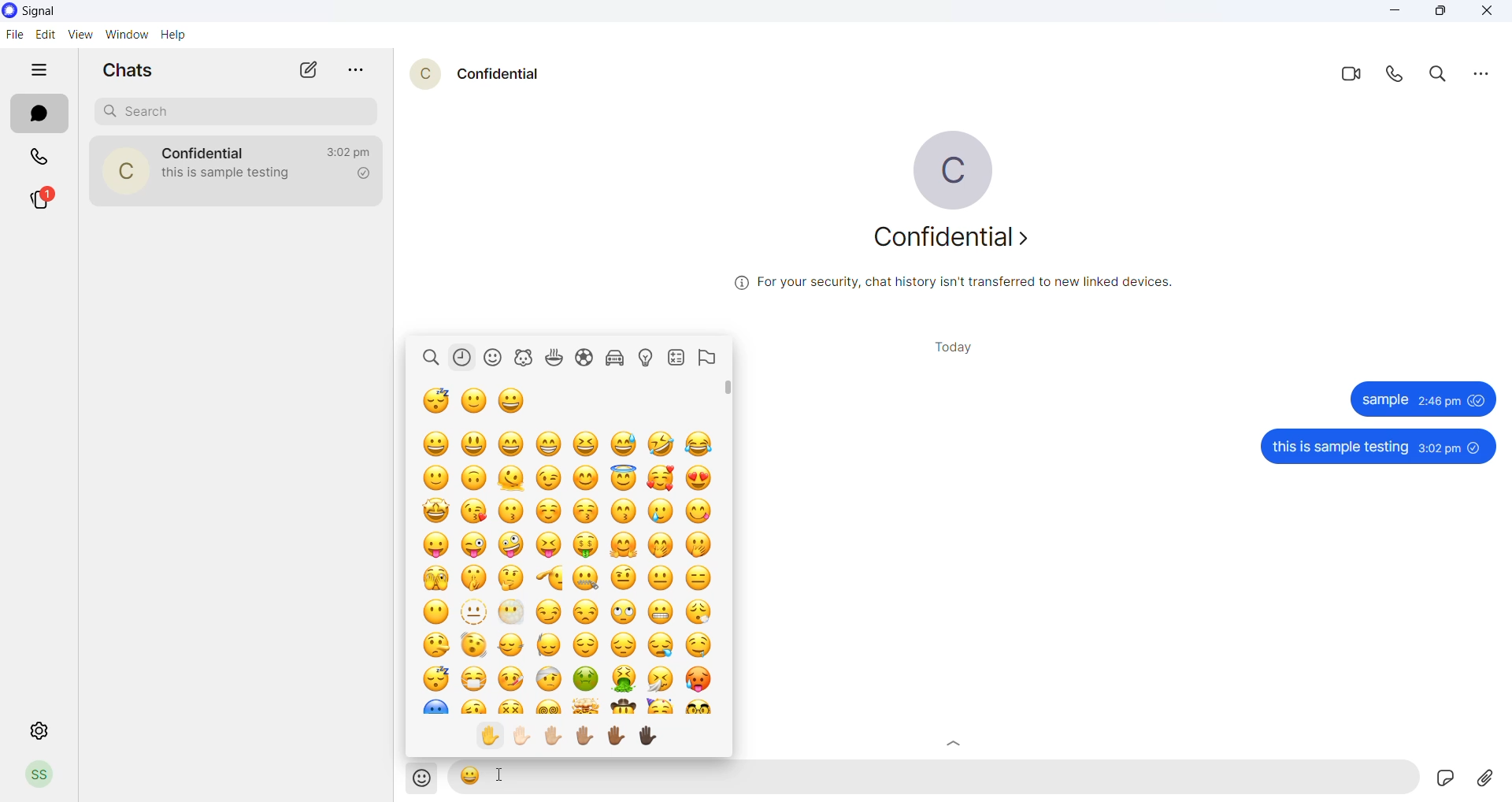 Image resolution: width=1512 pixels, height=802 pixels. Describe the element at coordinates (84, 34) in the screenshot. I see `view` at that location.